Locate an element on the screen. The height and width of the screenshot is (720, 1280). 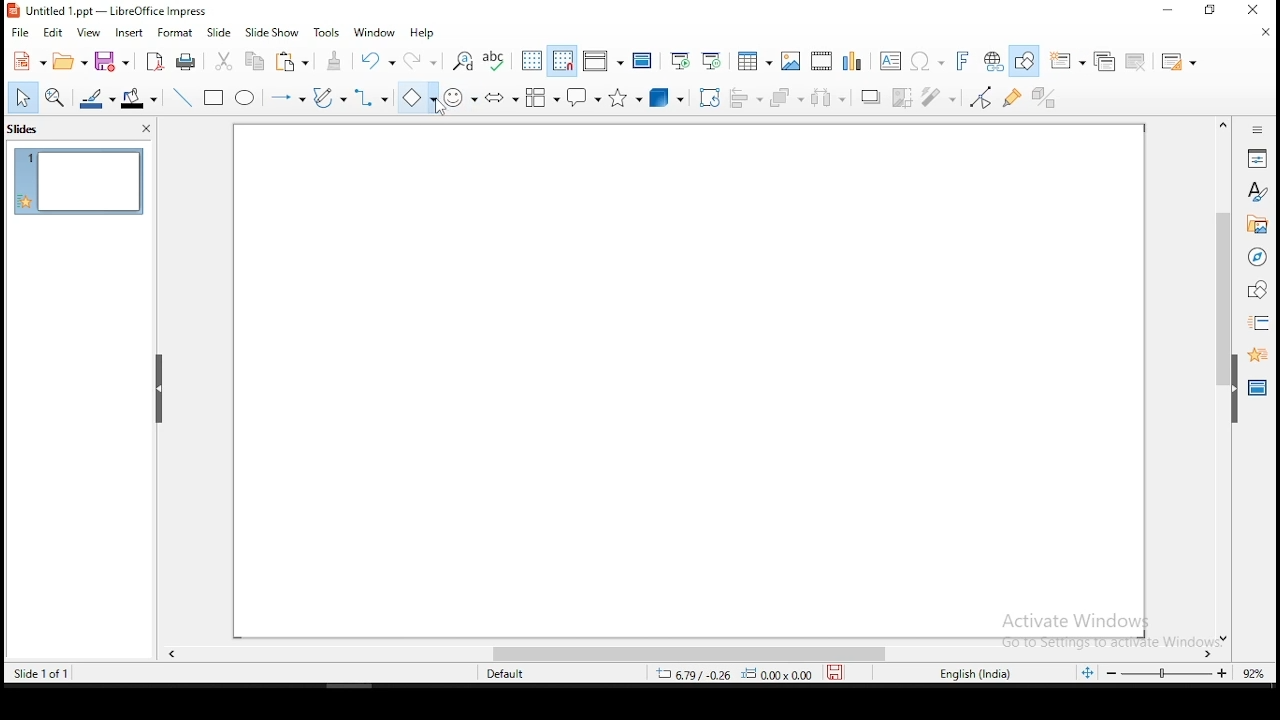
redo is located at coordinates (420, 60).